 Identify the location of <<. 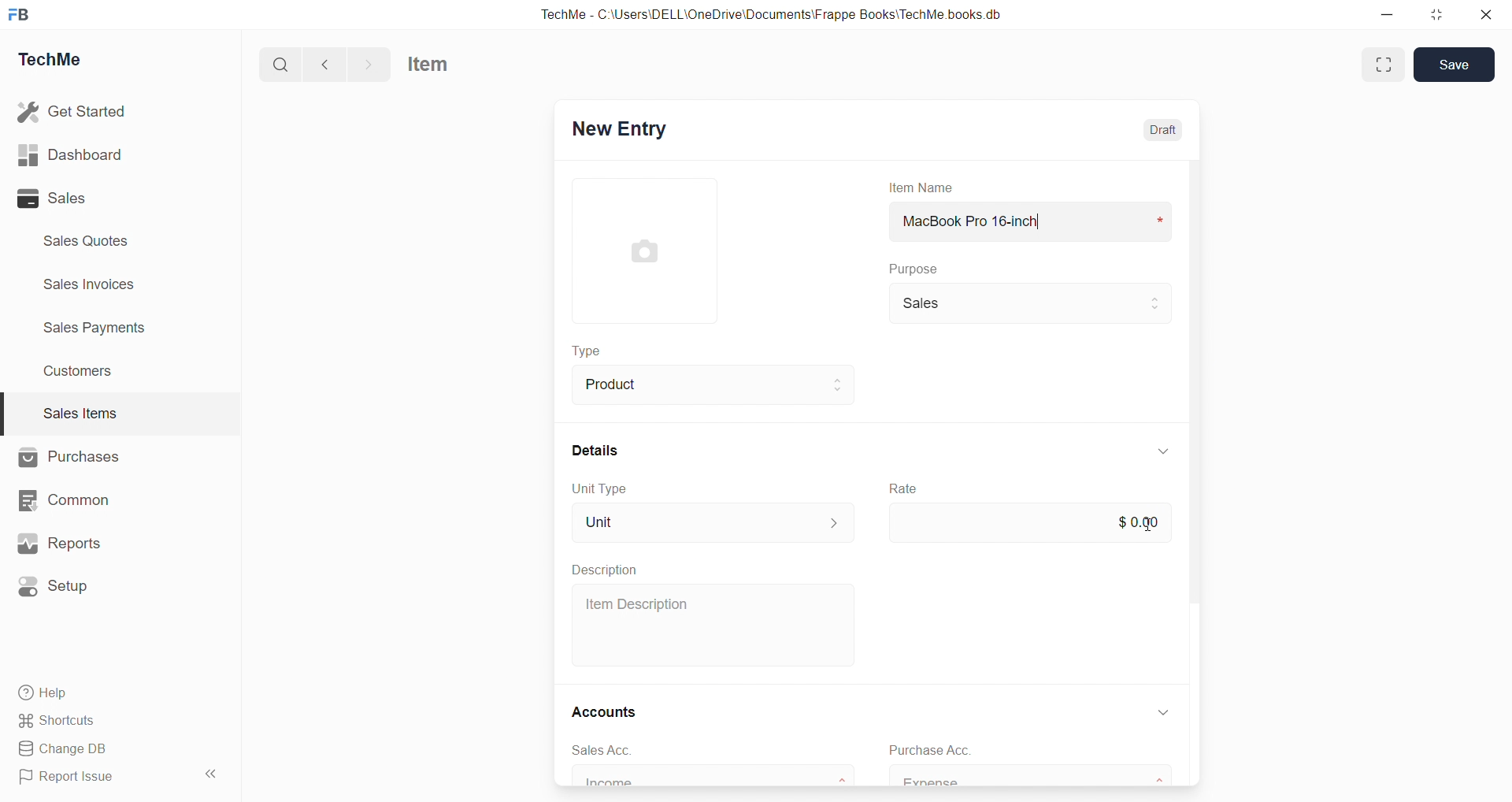
(209, 774).